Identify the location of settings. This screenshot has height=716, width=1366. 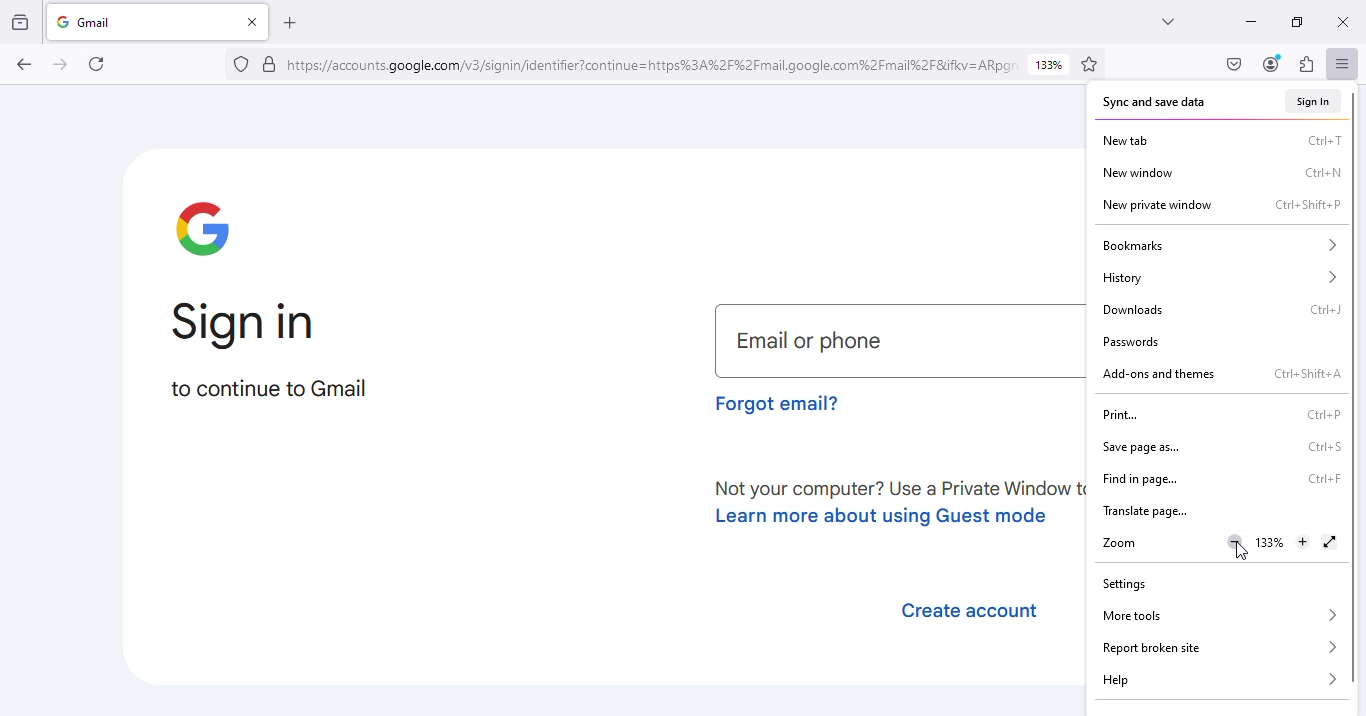
(1124, 585).